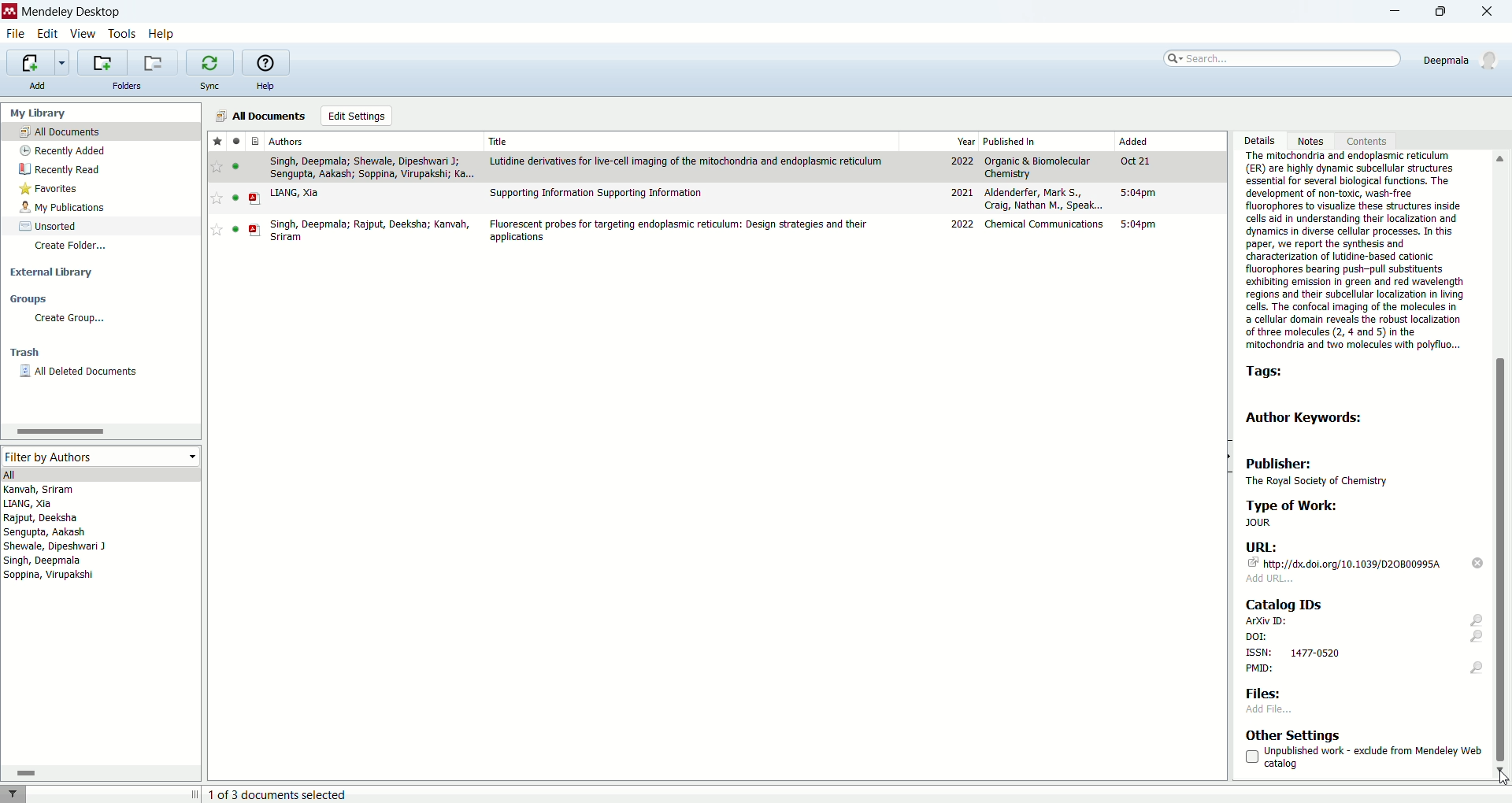 The image size is (1512, 803). Describe the element at coordinates (1228, 457) in the screenshot. I see `toggle hide/show` at that location.